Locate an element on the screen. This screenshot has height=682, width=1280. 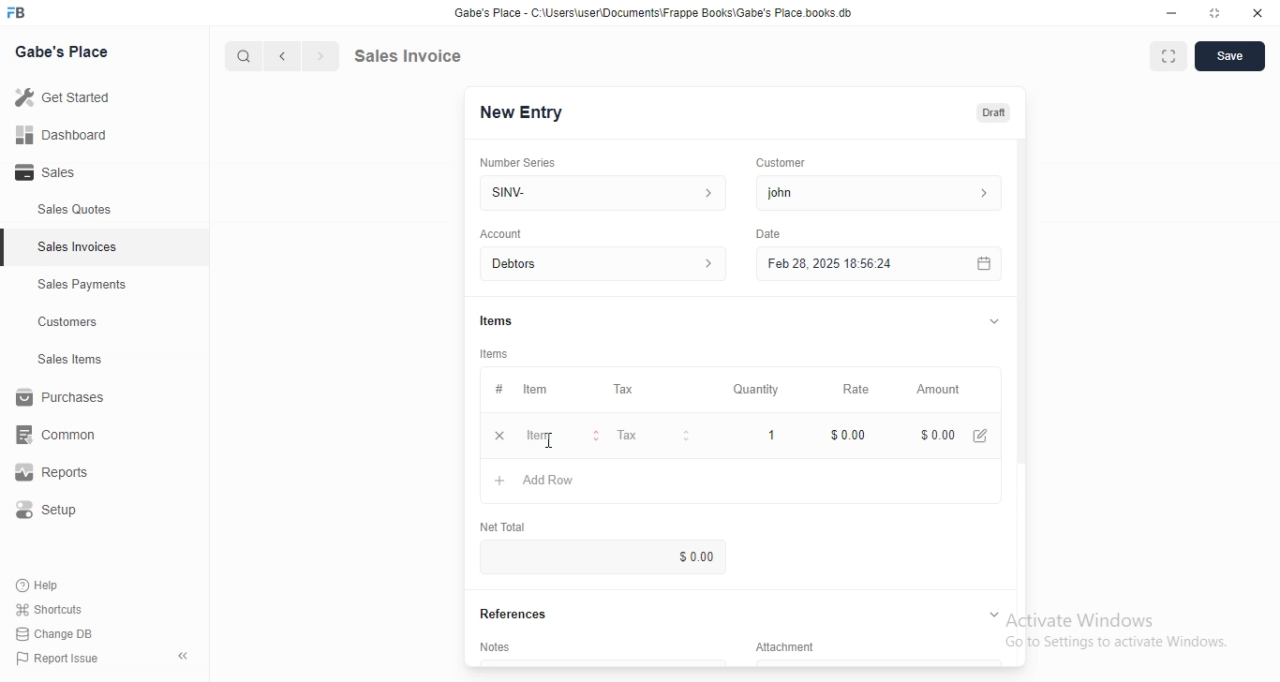
cursor is located at coordinates (234, 56).